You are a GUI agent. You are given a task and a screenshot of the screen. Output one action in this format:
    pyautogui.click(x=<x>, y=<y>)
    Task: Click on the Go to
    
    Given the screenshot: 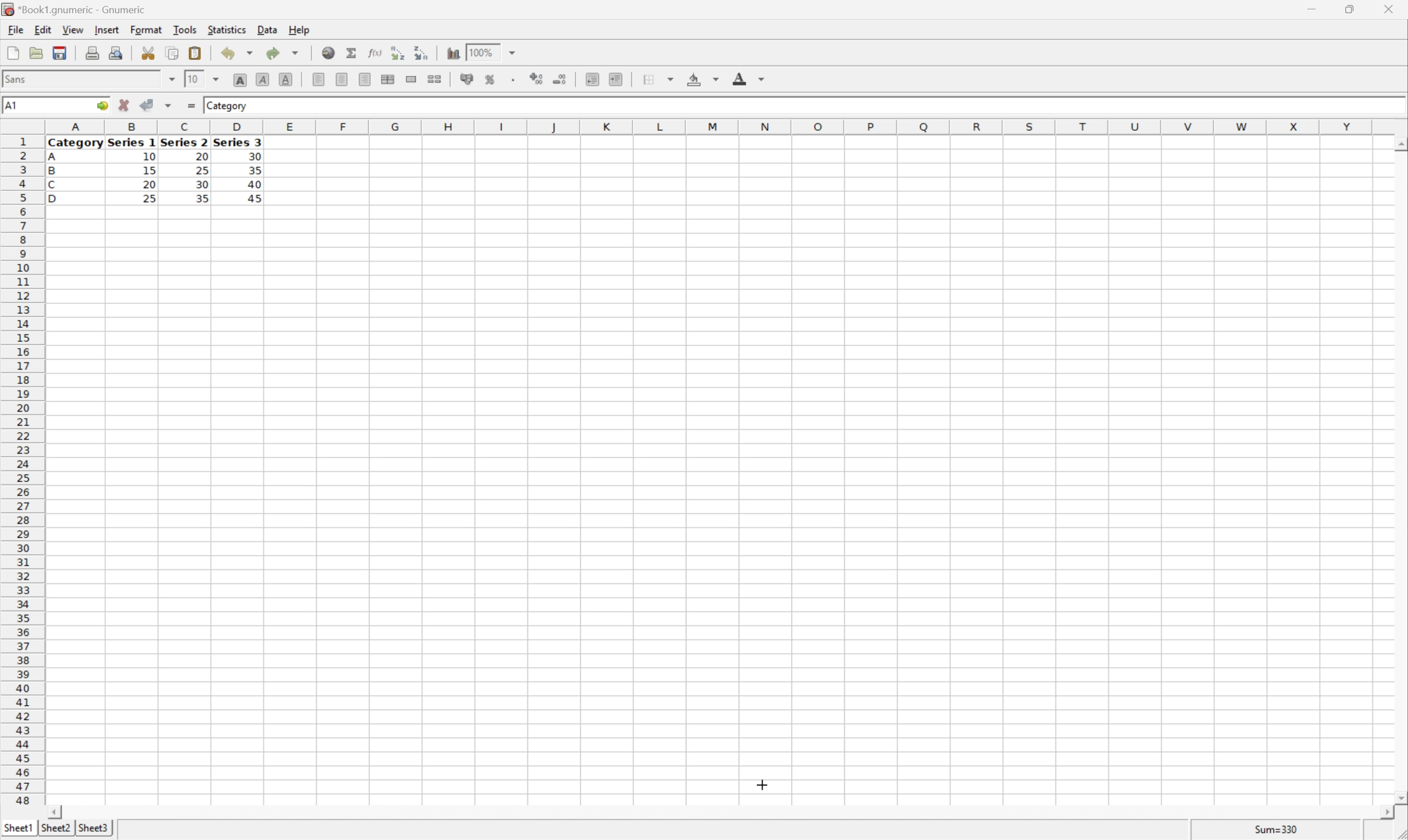 What is the action you would take?
    pyautogui.click(x=100, y=105)
    